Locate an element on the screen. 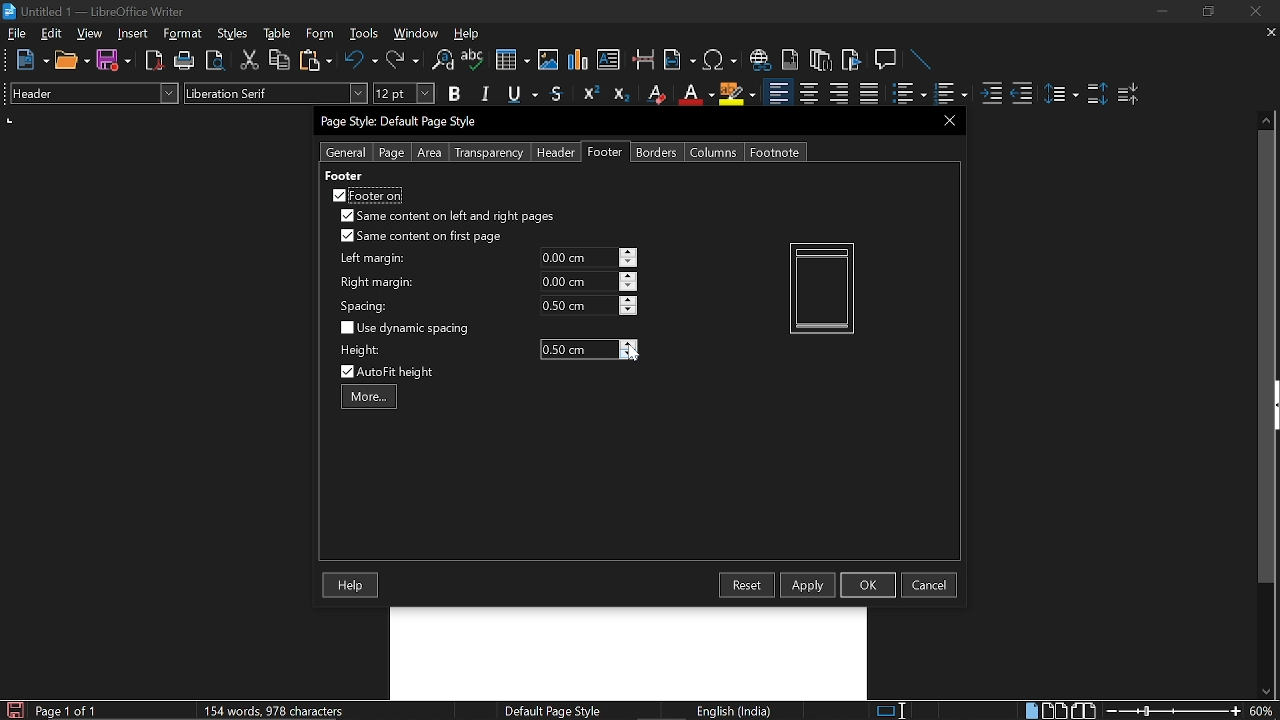 The height and width of the screenshot is (720, 1280). Subscript is located at coordinates (620, 94).